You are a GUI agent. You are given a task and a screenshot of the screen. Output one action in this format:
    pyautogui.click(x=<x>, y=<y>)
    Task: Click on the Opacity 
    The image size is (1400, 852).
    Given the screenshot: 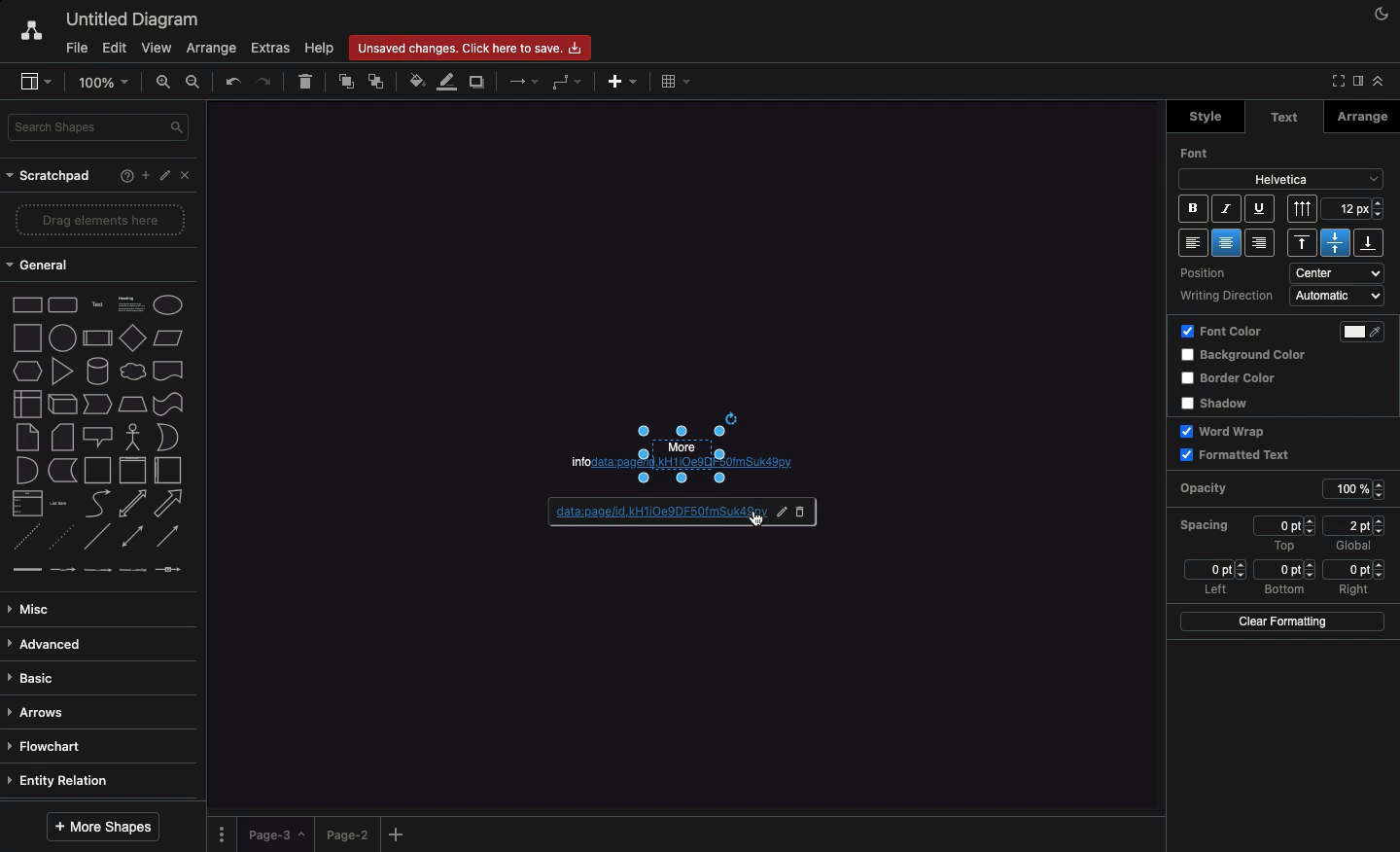 What is the action you would take?
    pyautogui.click(x=1219, y=489)
    